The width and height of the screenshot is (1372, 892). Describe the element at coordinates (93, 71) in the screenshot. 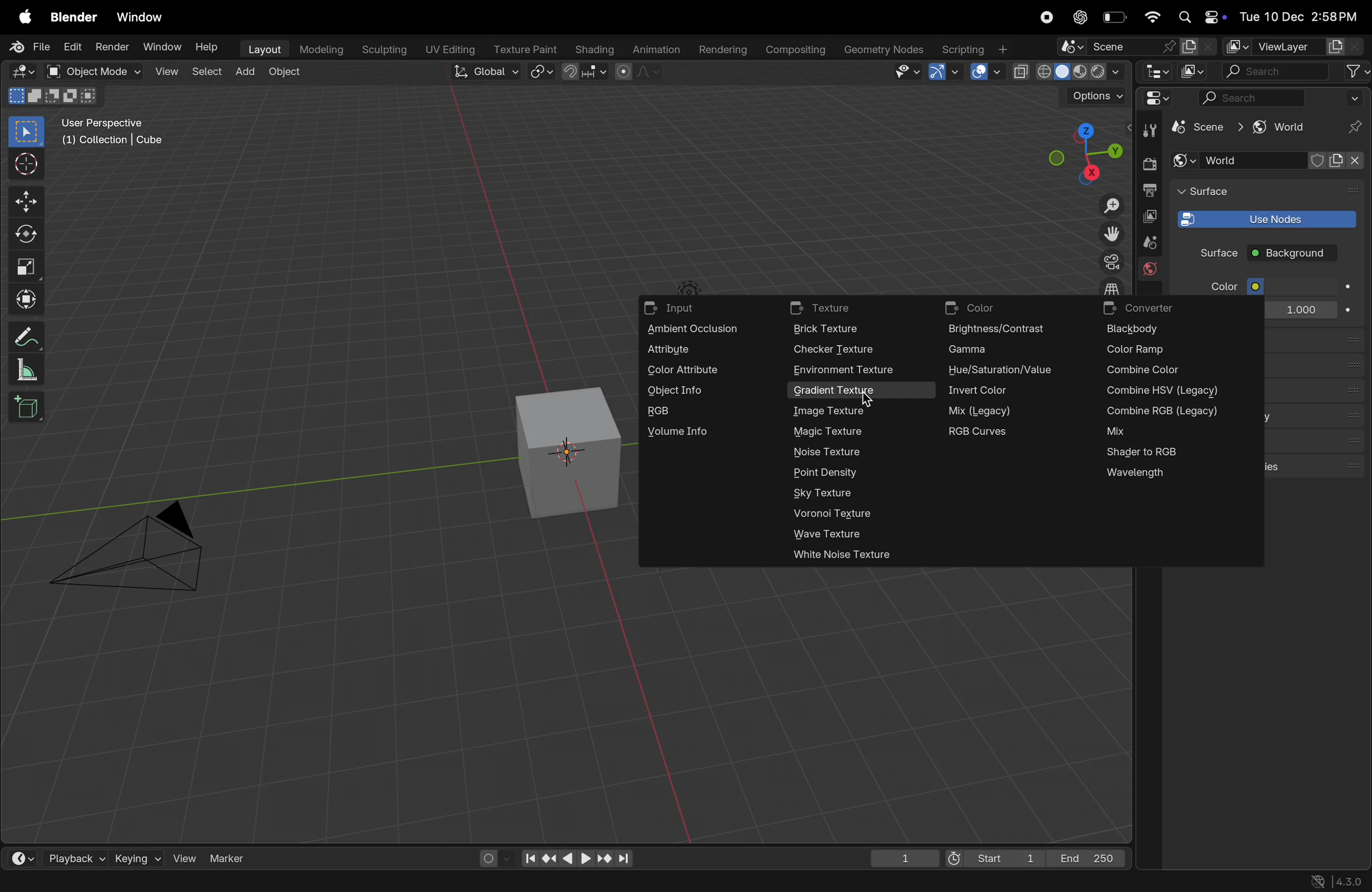

I see `object mode` at that location.